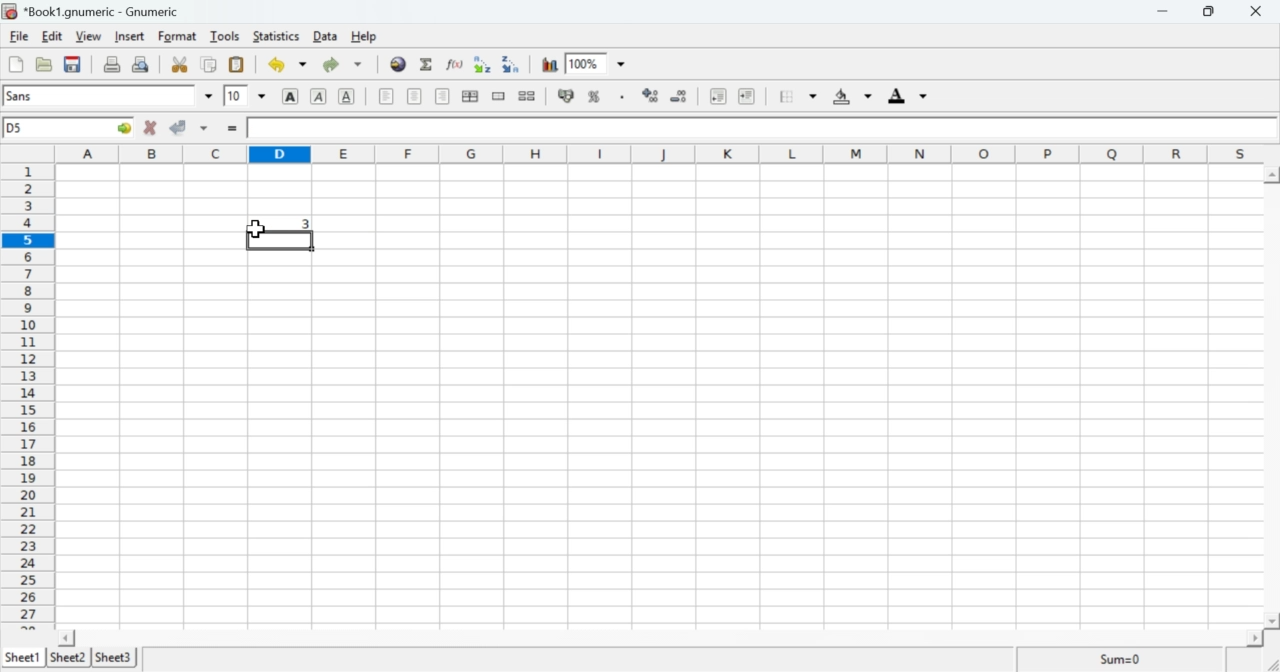  Describe the element at coordinates (716, 98) in the screenshot. I see `Decrease Indent` at that location.